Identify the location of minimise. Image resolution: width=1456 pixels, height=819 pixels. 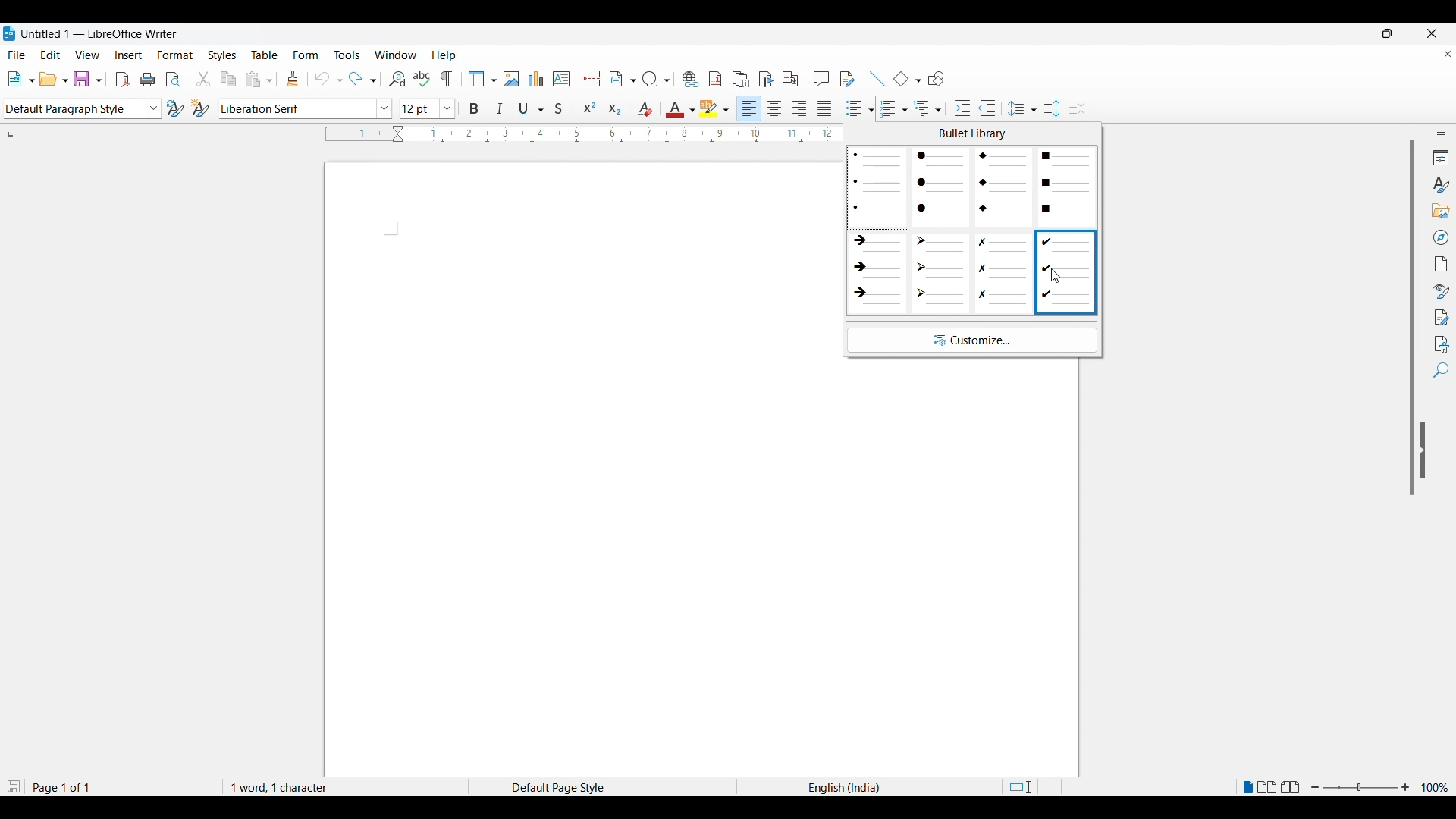
(1350, 33).